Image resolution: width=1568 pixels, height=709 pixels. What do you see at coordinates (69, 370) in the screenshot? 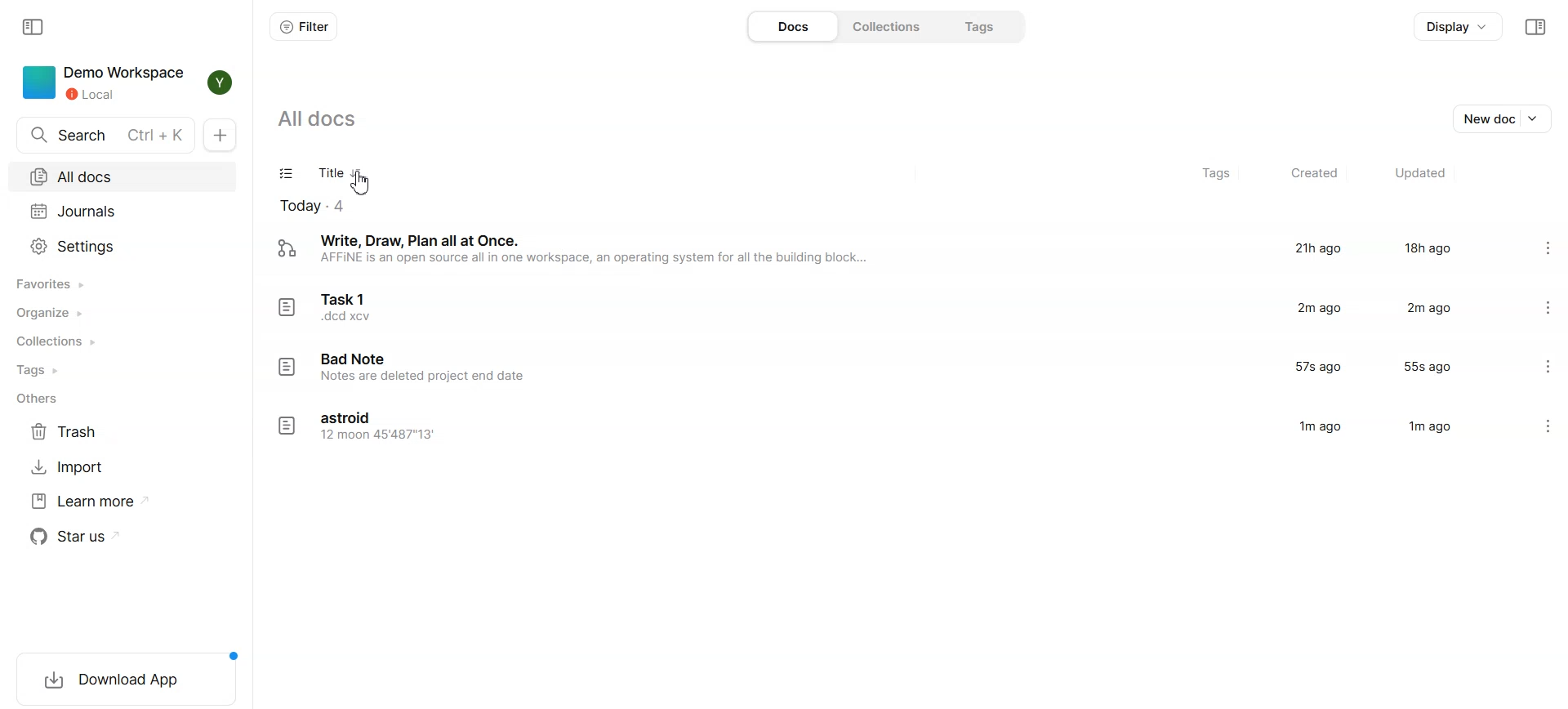
I see `Tags` at bounding box center [69, 370].